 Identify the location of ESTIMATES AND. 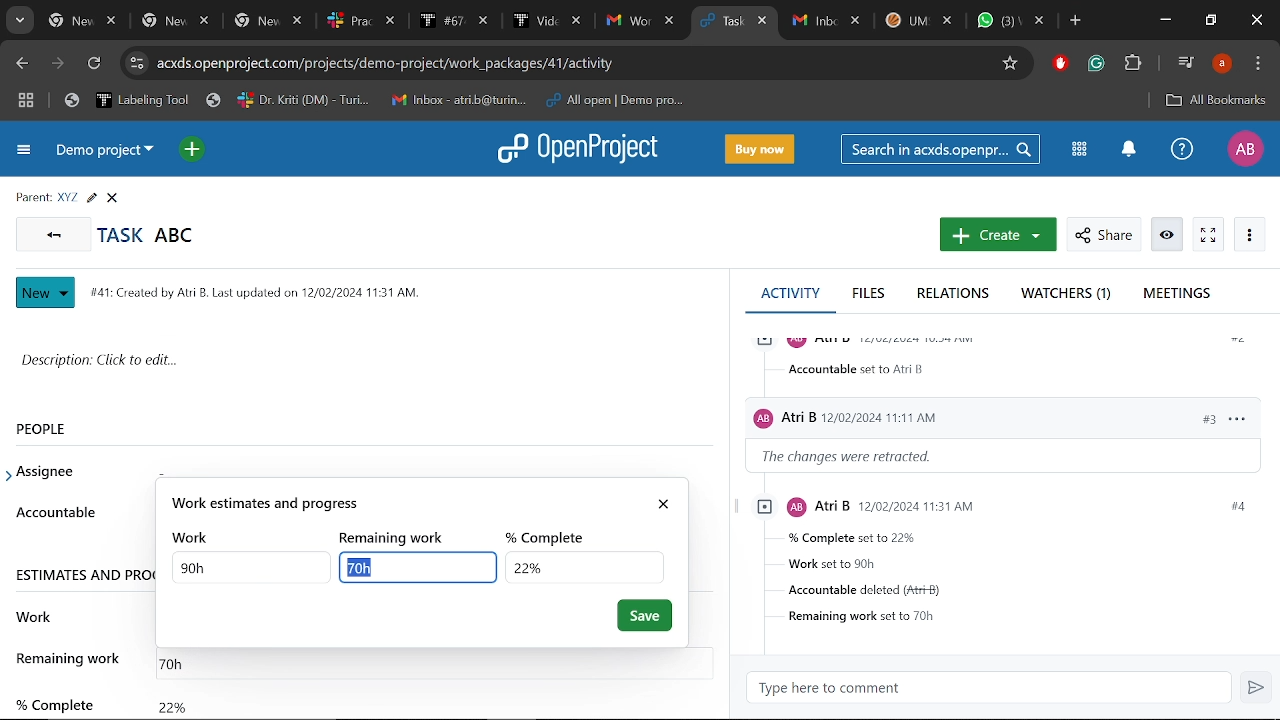
(83, 574).